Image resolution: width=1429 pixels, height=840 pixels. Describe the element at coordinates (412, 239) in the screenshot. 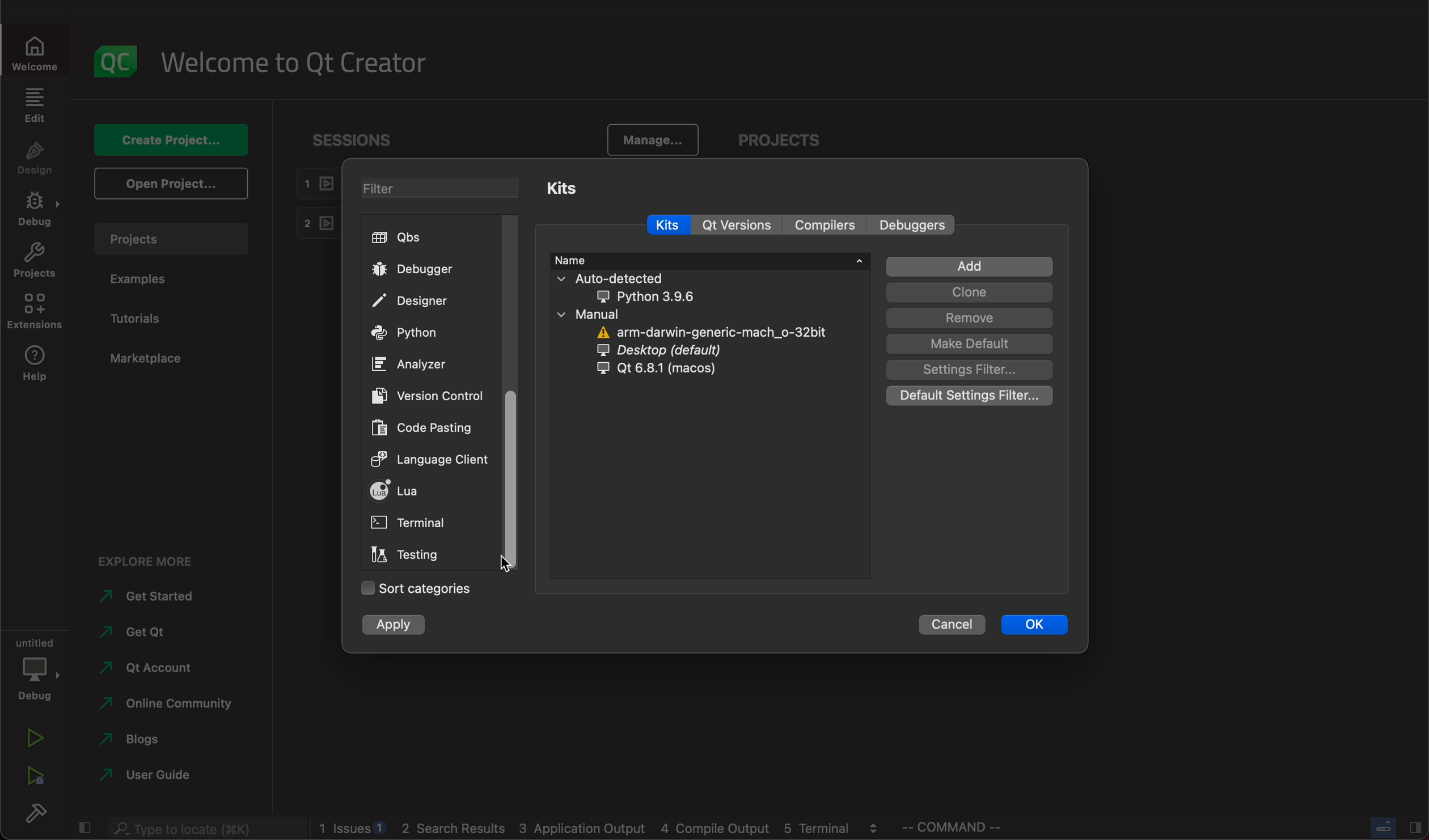

I see `qbs` at that location.